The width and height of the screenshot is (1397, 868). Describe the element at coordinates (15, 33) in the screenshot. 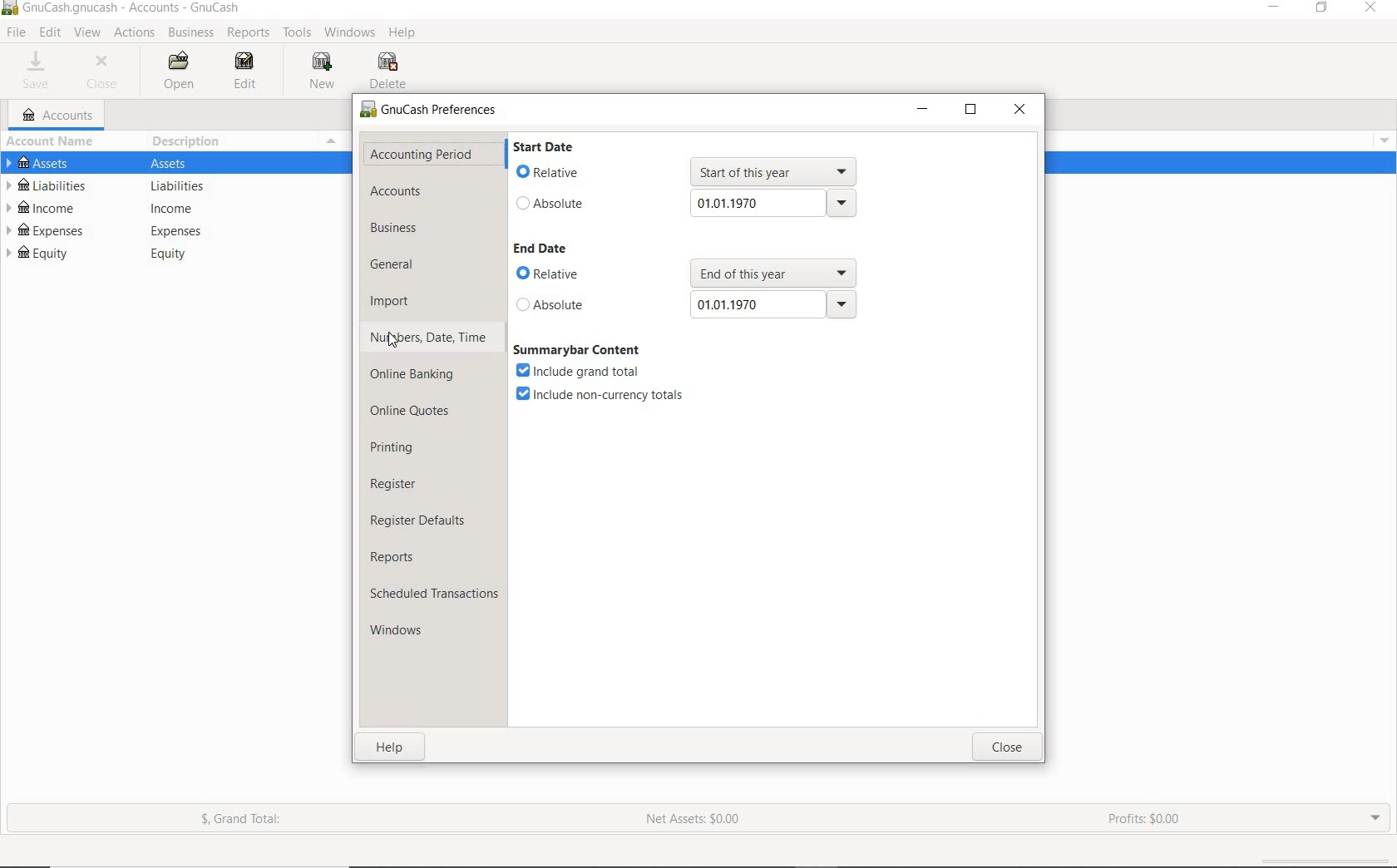

I see `FILE` at that location.